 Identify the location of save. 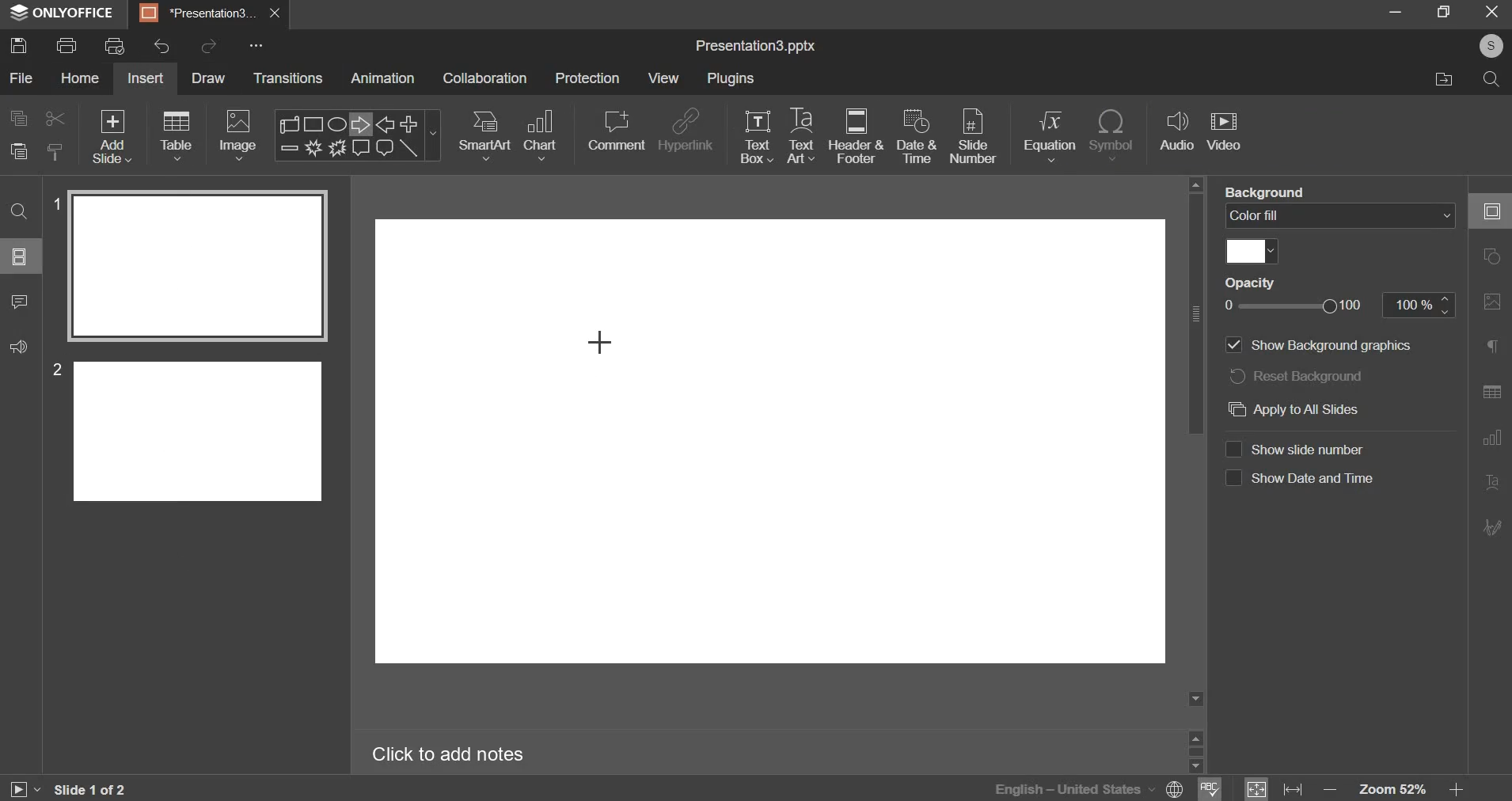
(19, 44).